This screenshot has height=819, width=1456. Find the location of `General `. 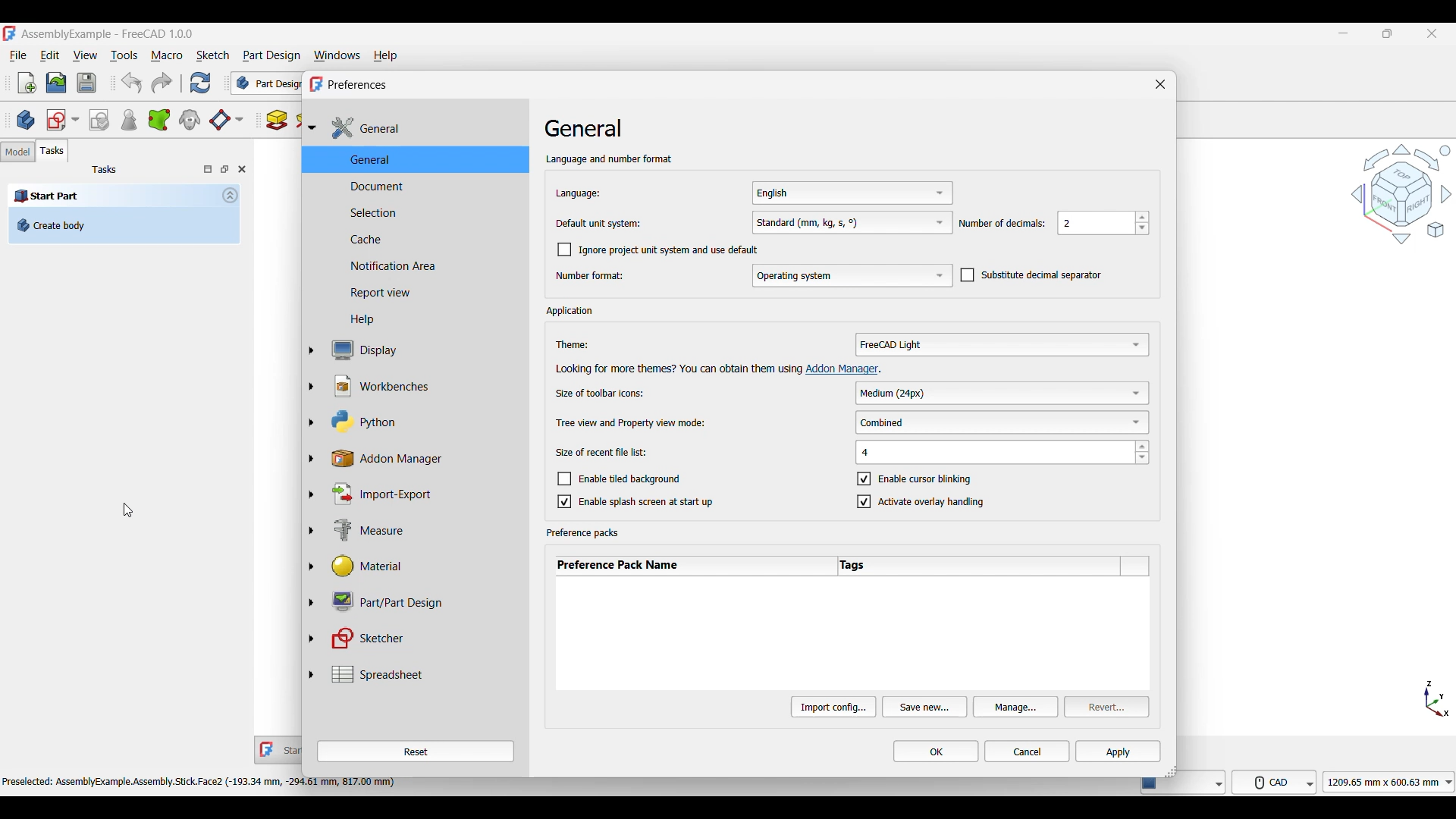

General  is located at coordinates (424, 129).